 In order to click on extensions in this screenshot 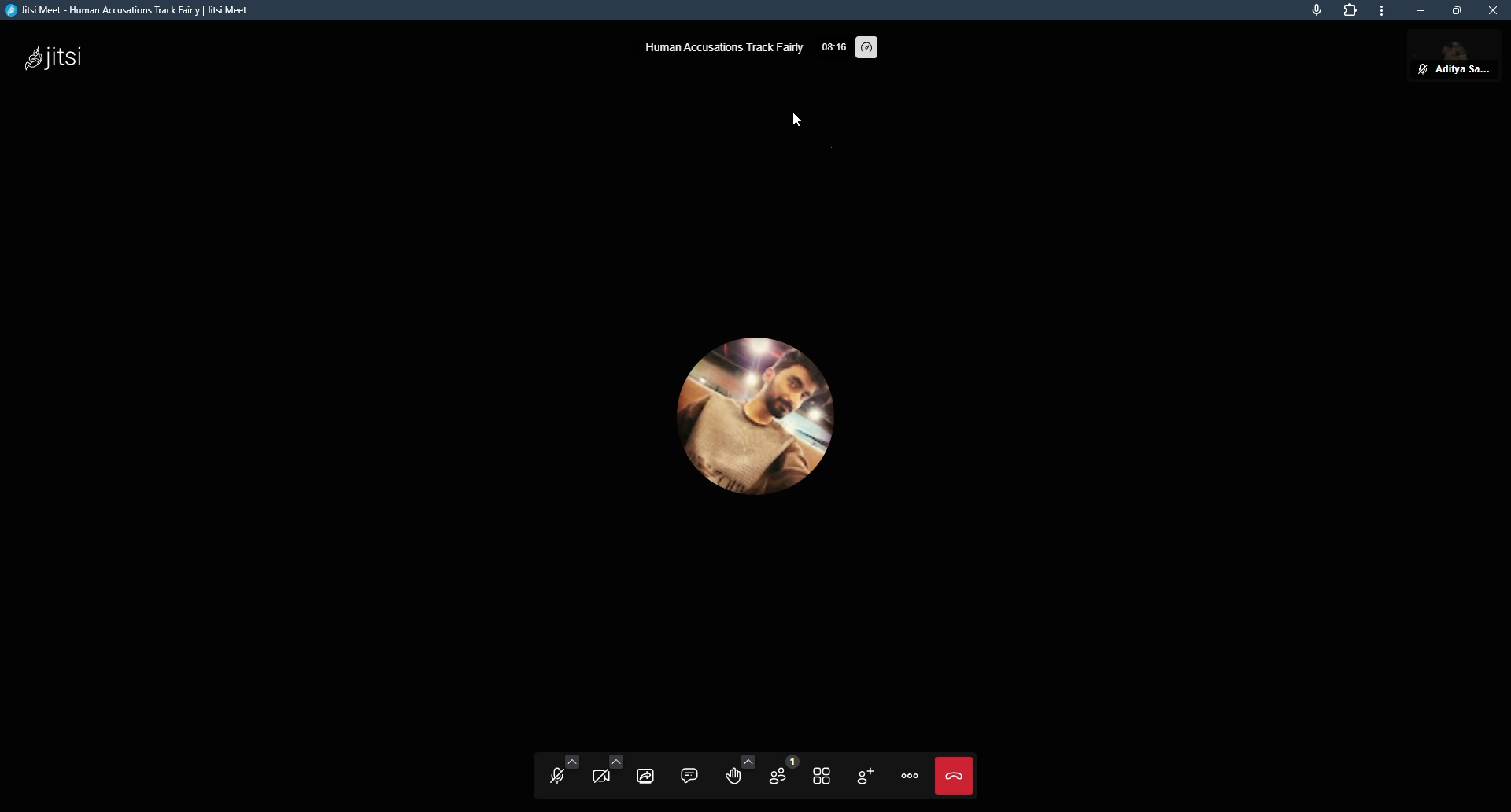, I will do `click(1350, 10)`.